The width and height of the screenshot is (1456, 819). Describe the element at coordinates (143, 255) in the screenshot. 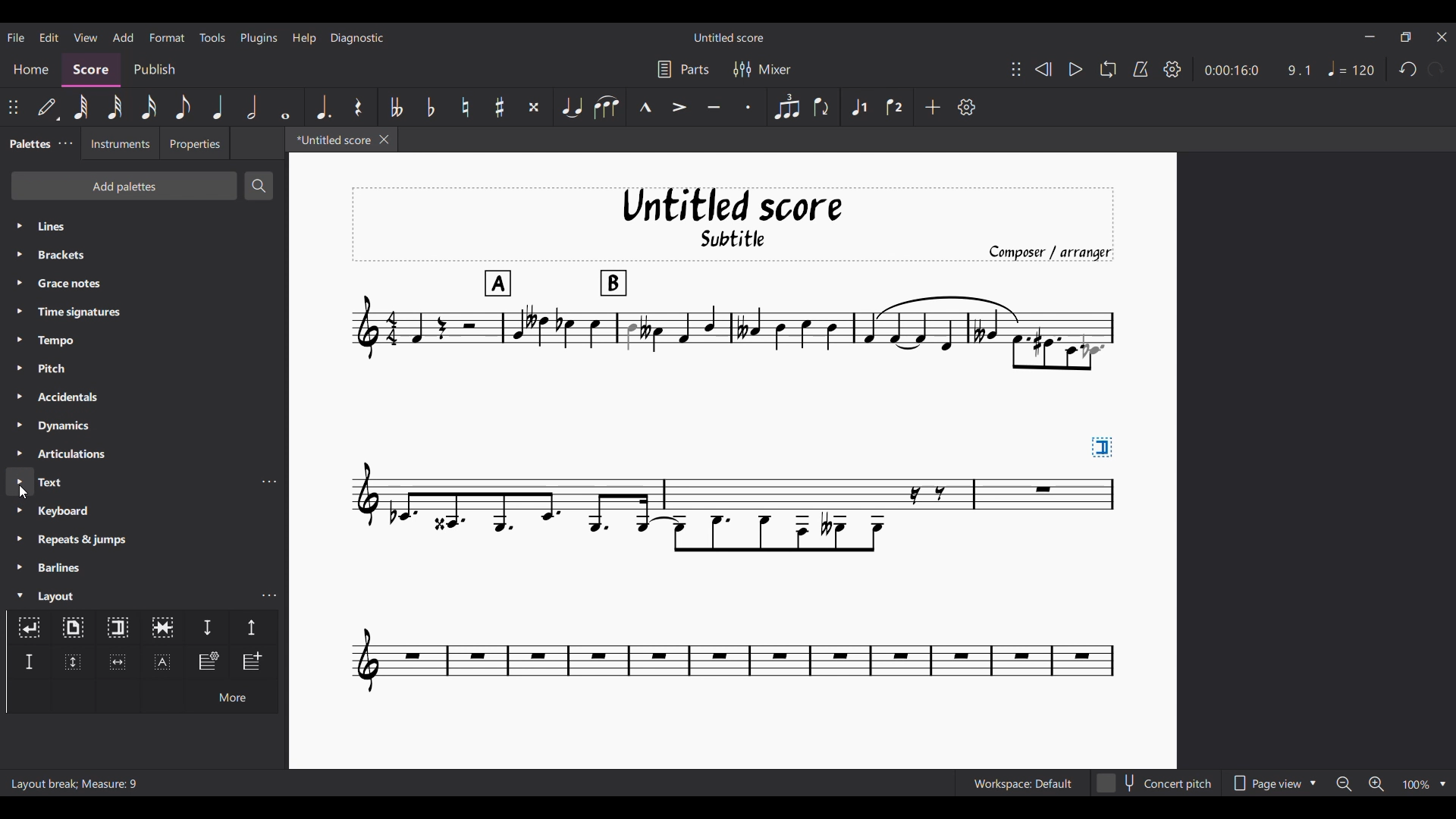

I see `Brackets` at that location.